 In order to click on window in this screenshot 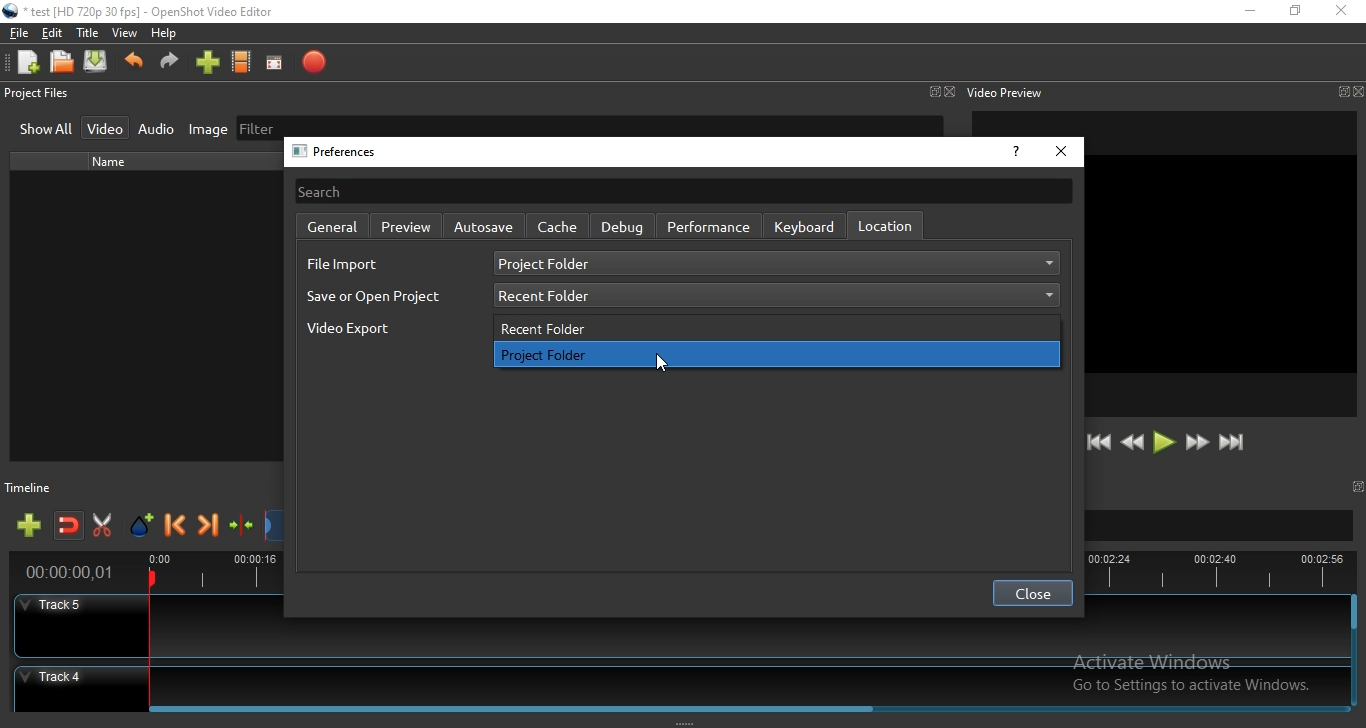, I will do `click(1341, 92)`.